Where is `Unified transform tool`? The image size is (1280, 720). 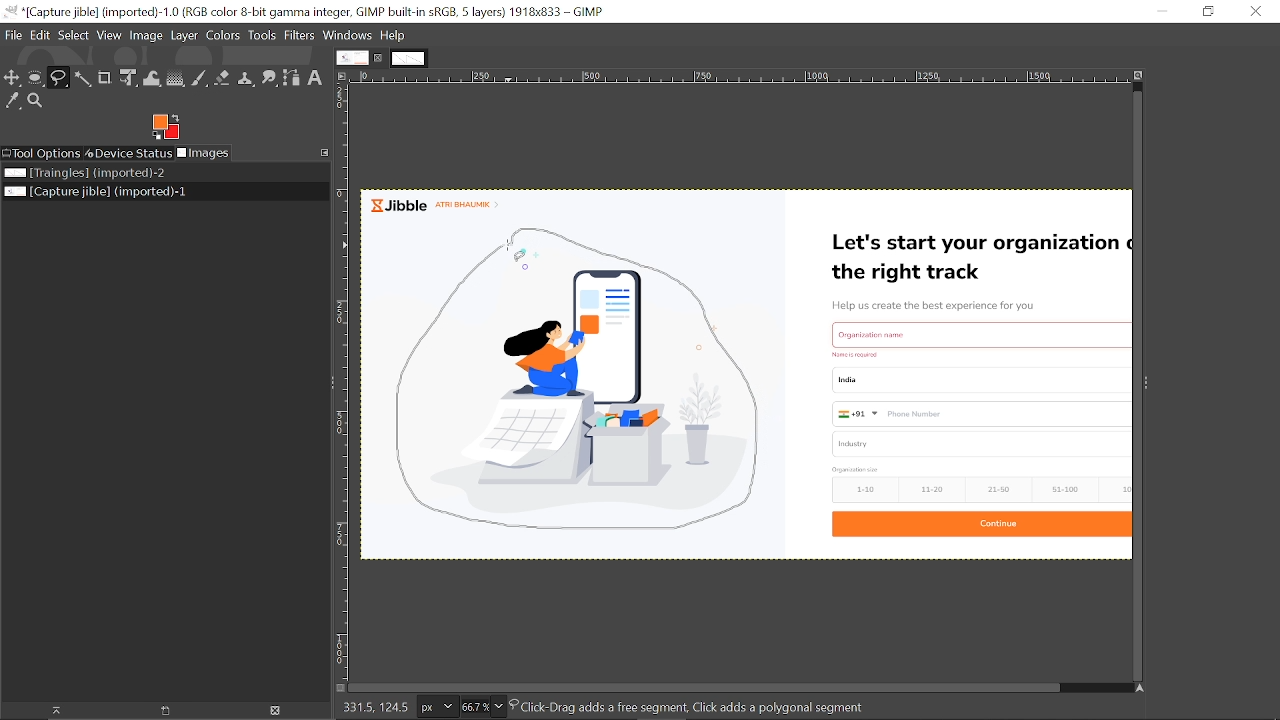 Unified transform tool is located at coordinates (130, 78).